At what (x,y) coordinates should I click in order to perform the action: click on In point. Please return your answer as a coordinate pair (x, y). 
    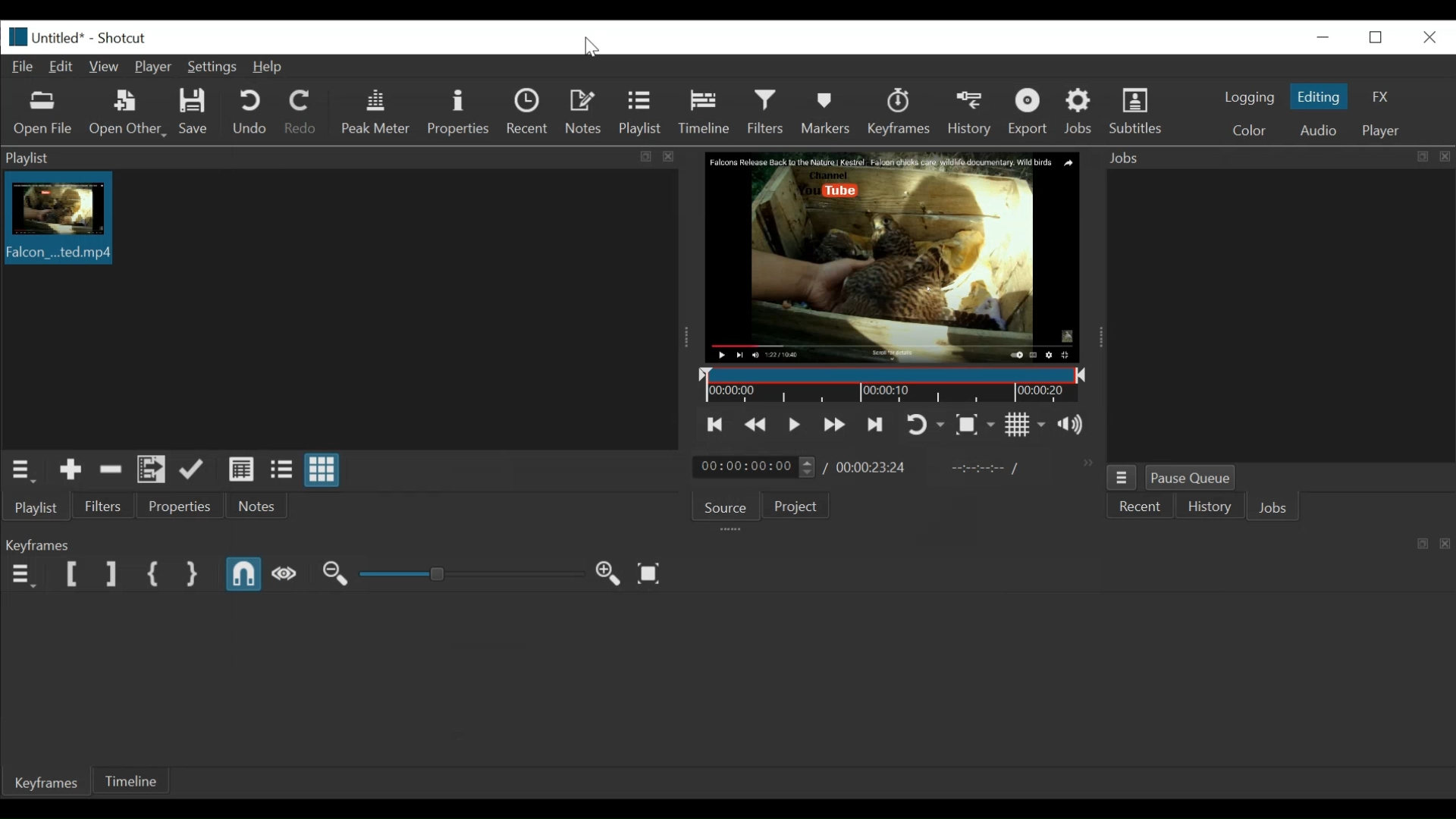
    Looking at the image, I should click on (985, 470).